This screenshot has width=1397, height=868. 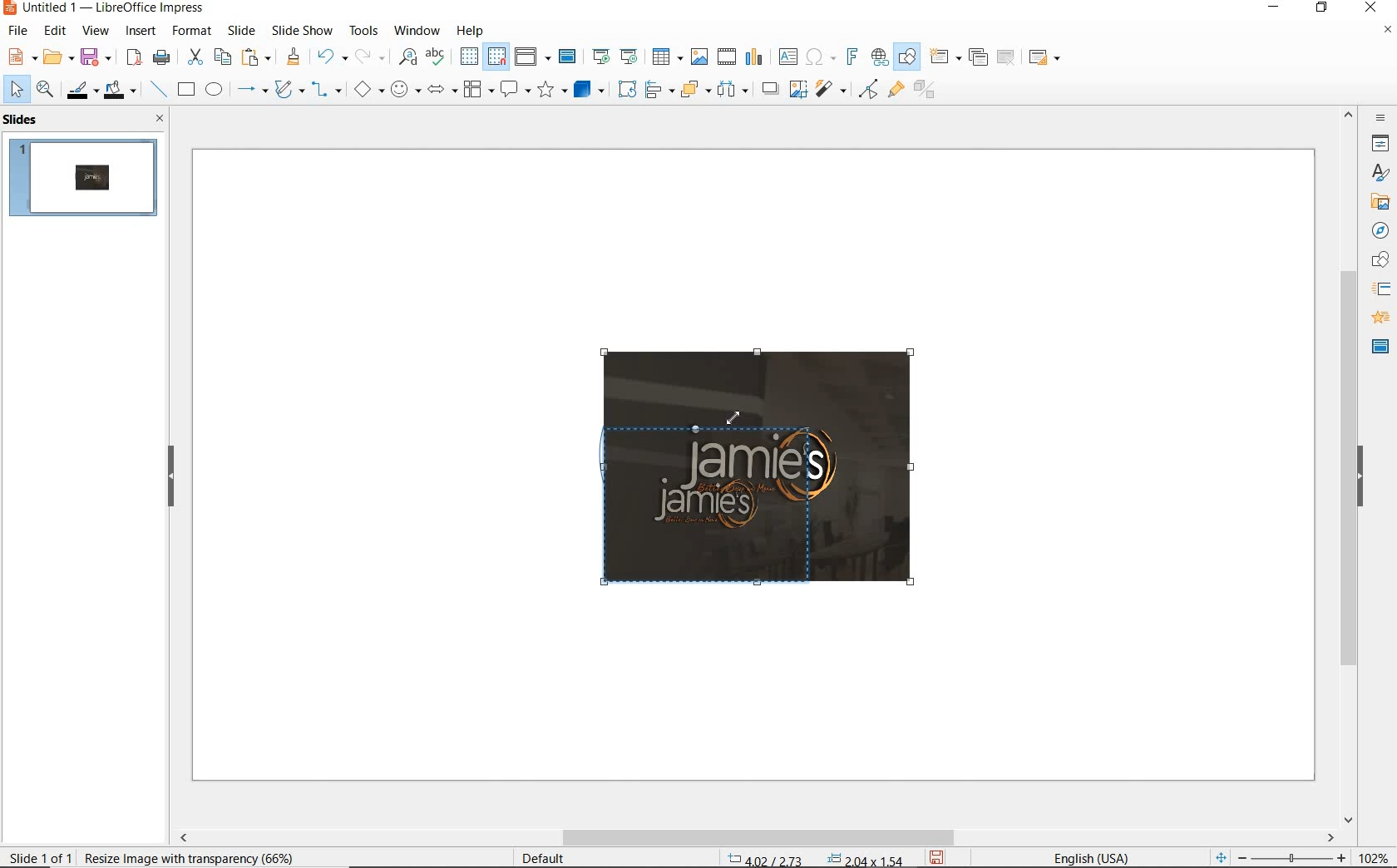 What do you see at coordinates (96, 31) in the screenshot?
I see `view` at bounding box center [96, 31].